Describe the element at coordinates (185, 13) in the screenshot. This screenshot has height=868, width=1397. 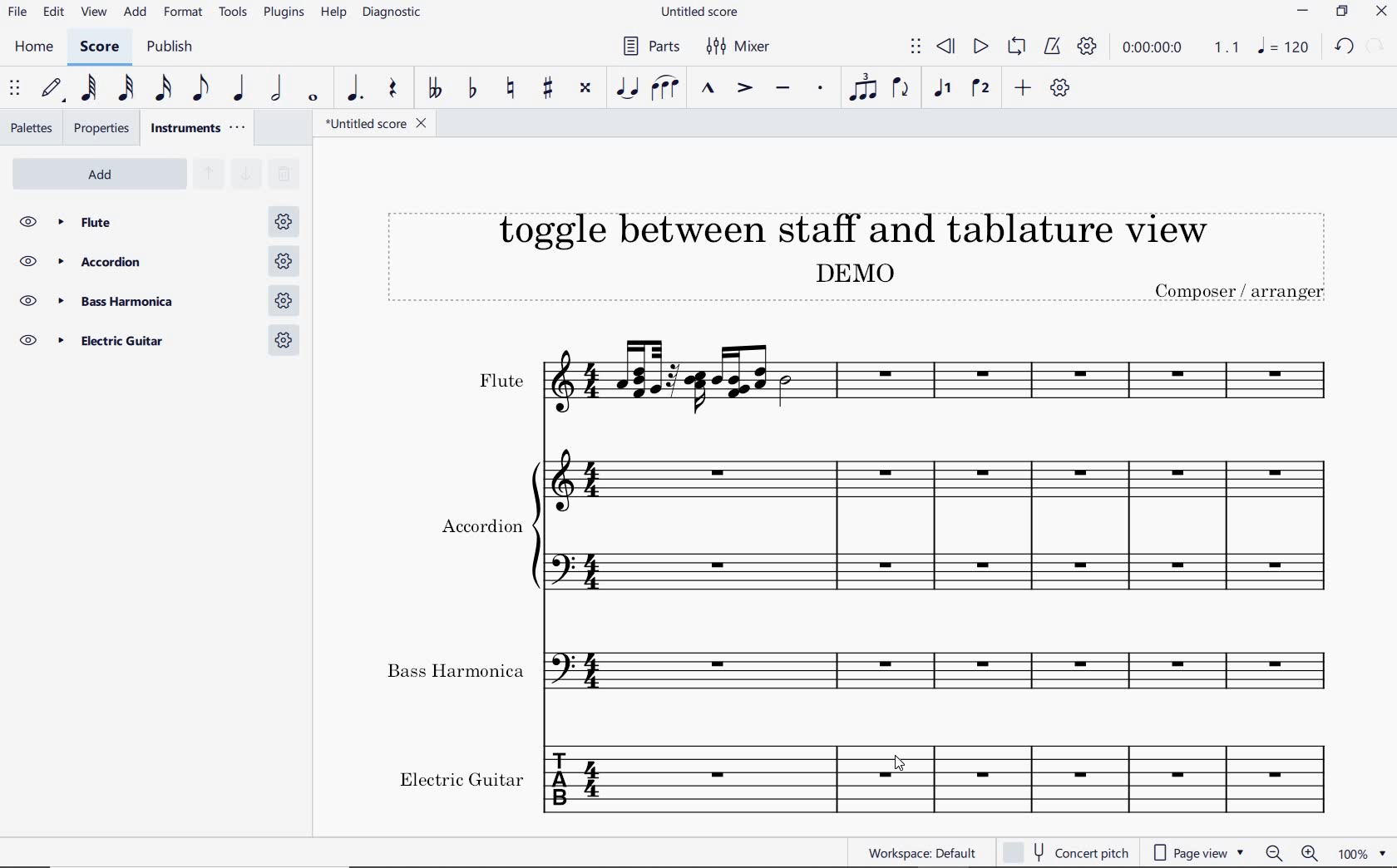
I see `format` at that location.